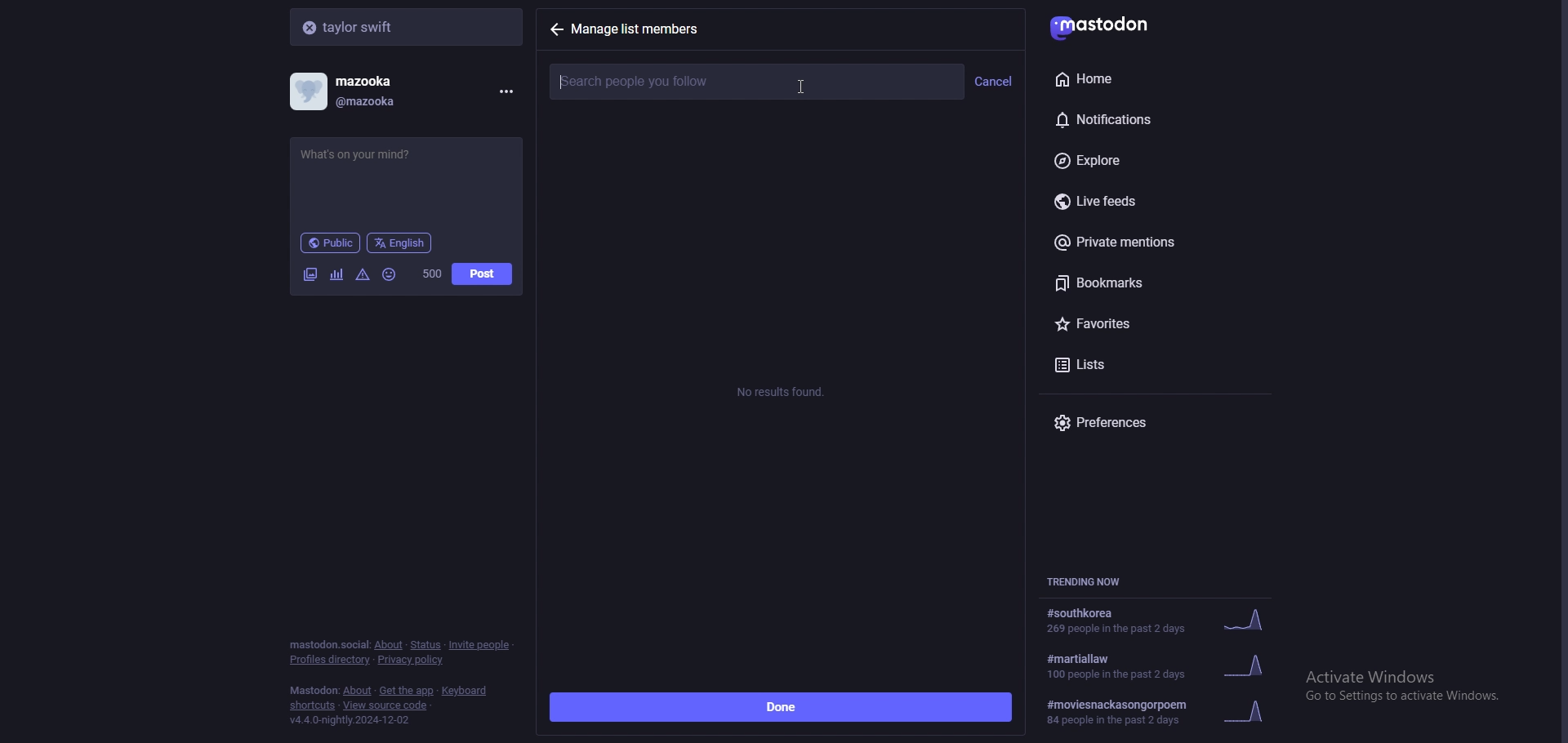 This screenshot has height=743, width=1568. What do you see at coordinates (313, 707) in the screenshot?
I see `shortcuts` at bounding box center [313, 707].